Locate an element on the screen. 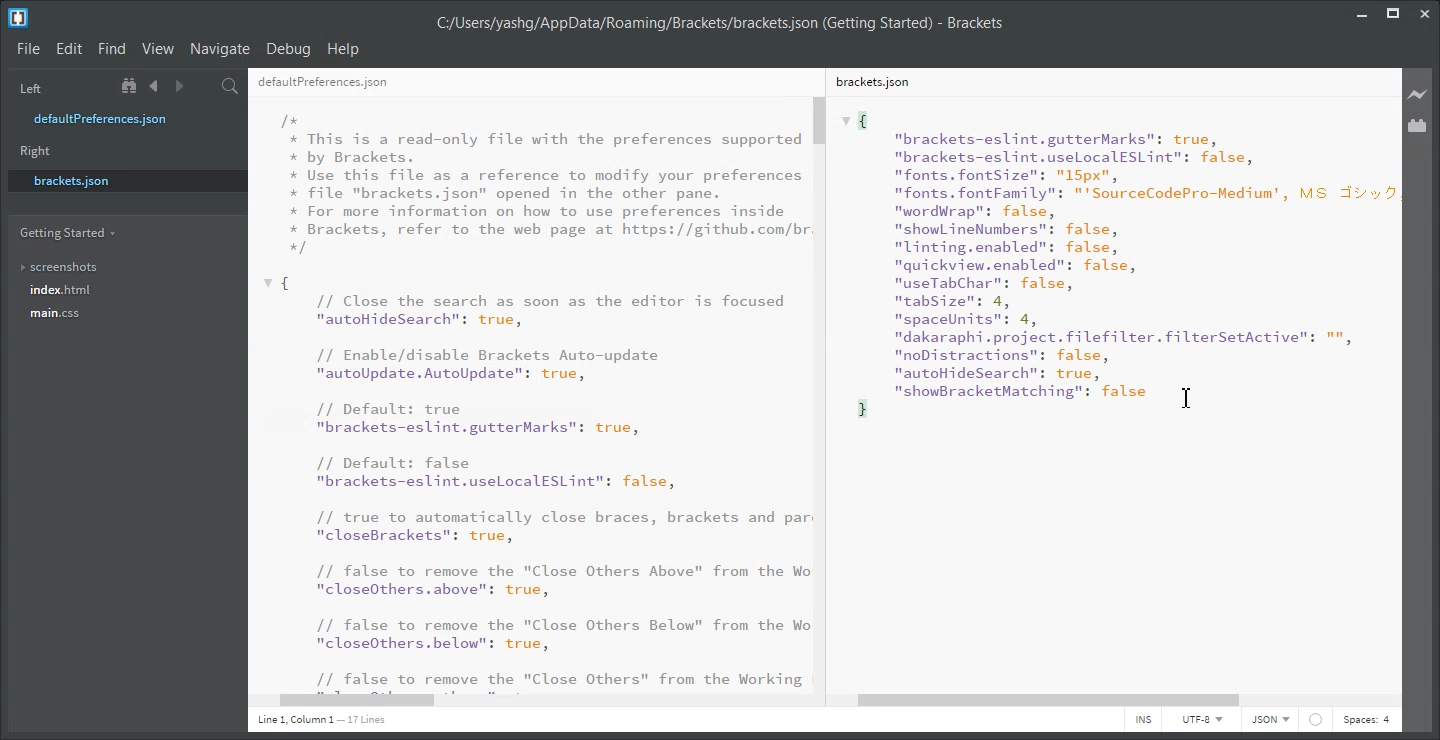 The height and width of the screenshot is (740, 1440). {"brackets-eslint.gutterMarks": true,"brackets-eslint.uselocalESLint": false,"fonts. fontSize": "15px","fonts. fontFamily": "'SourceCodePro-Medium', MS J:"wordWrap": false,"show ineNumbers": false,"linting.enabled": false,"quickview.enabled": false,"useTabChar": false,"tabSize": 4,"spaceUnits": 4,"dakaraphi.project. filefilter.filterSetActive": "","noDistractions": false,"autoHideSearch”: true,nshowBracketMatching": false } is located at coordinates (1121, 267).